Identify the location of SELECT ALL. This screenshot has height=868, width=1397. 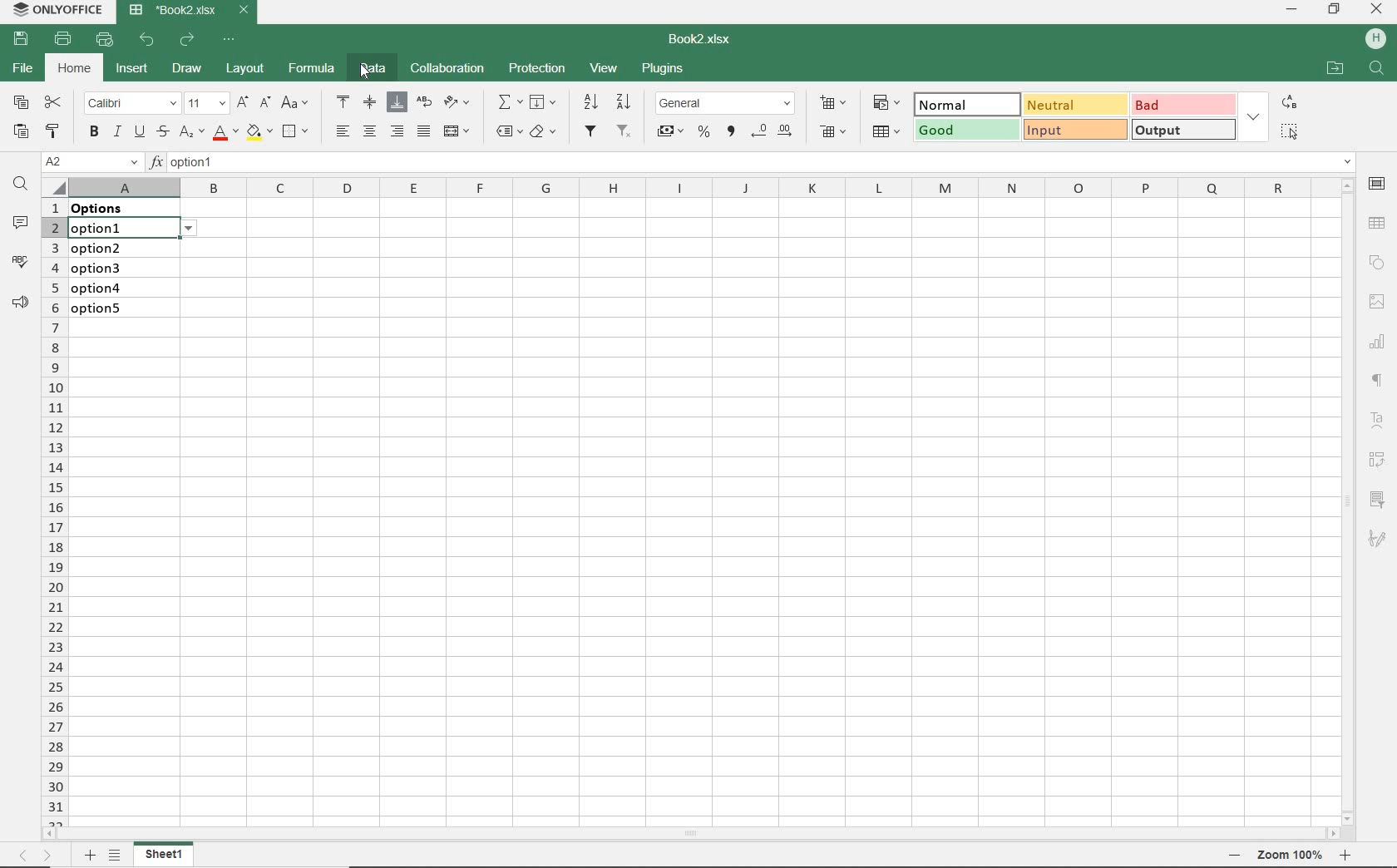
(1289, 133).